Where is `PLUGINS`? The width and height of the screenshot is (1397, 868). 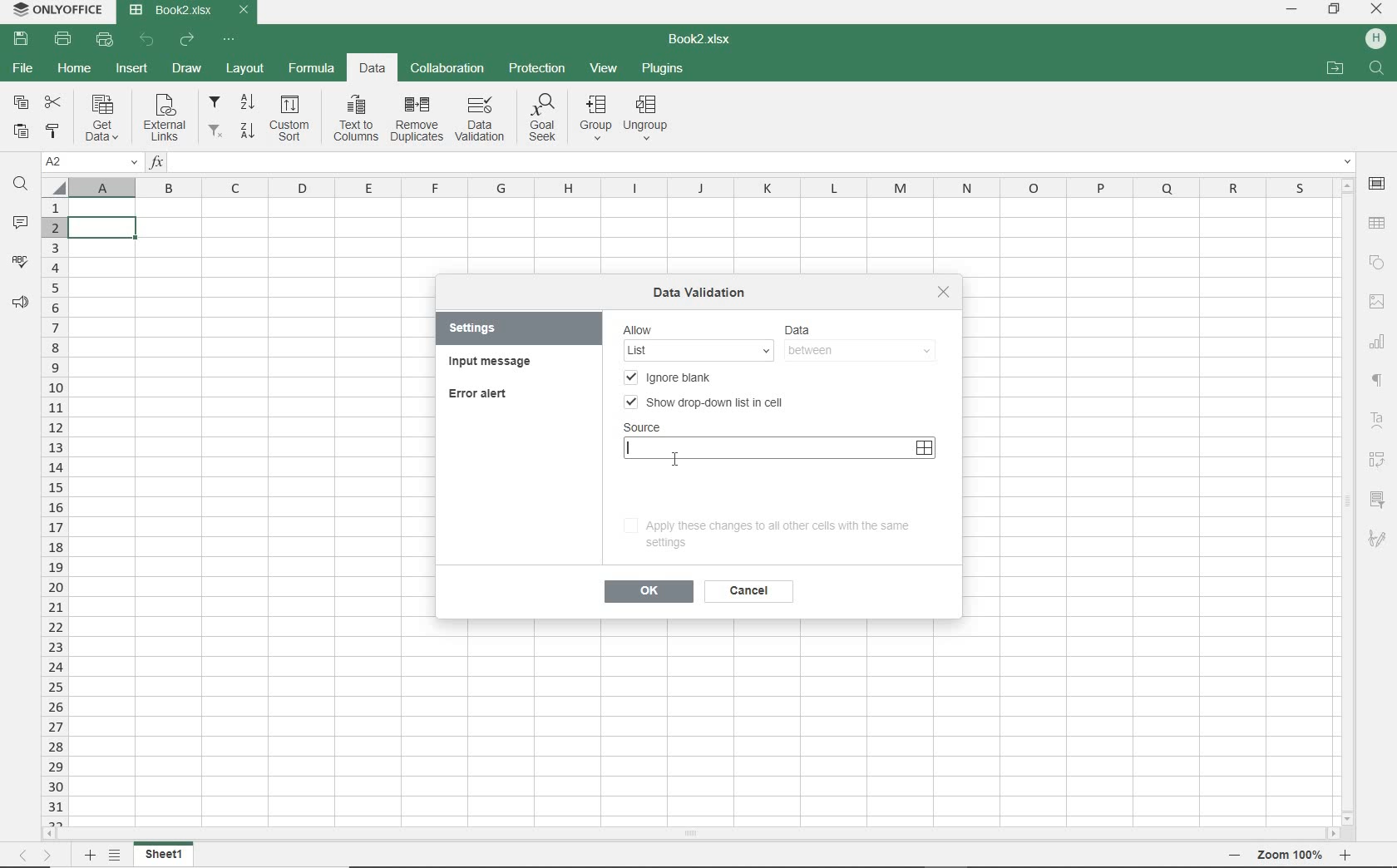 PLUGINS is located at coordinates (664, 67).